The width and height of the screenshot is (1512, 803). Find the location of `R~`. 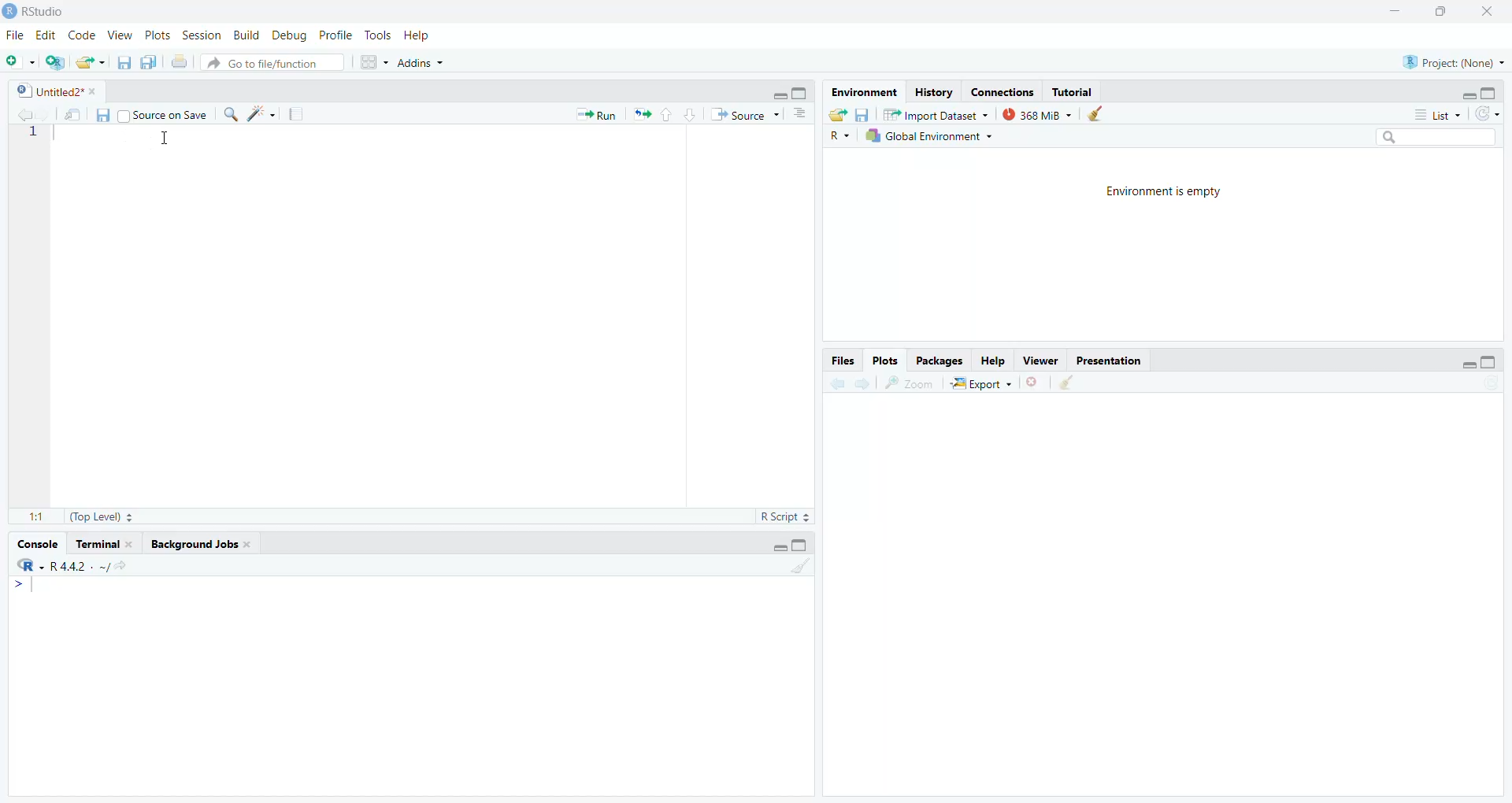

R~ is located at coordinates (838, 135).